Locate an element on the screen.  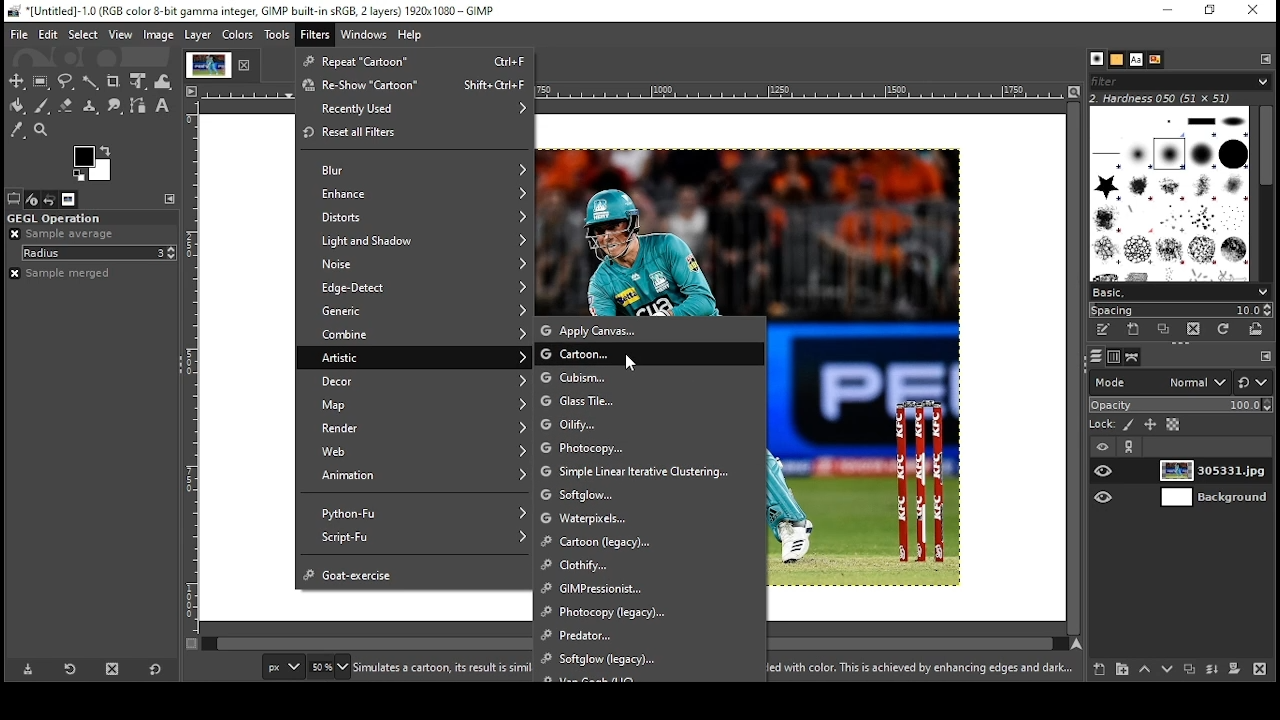
tools is located at coordinates (277, 35).